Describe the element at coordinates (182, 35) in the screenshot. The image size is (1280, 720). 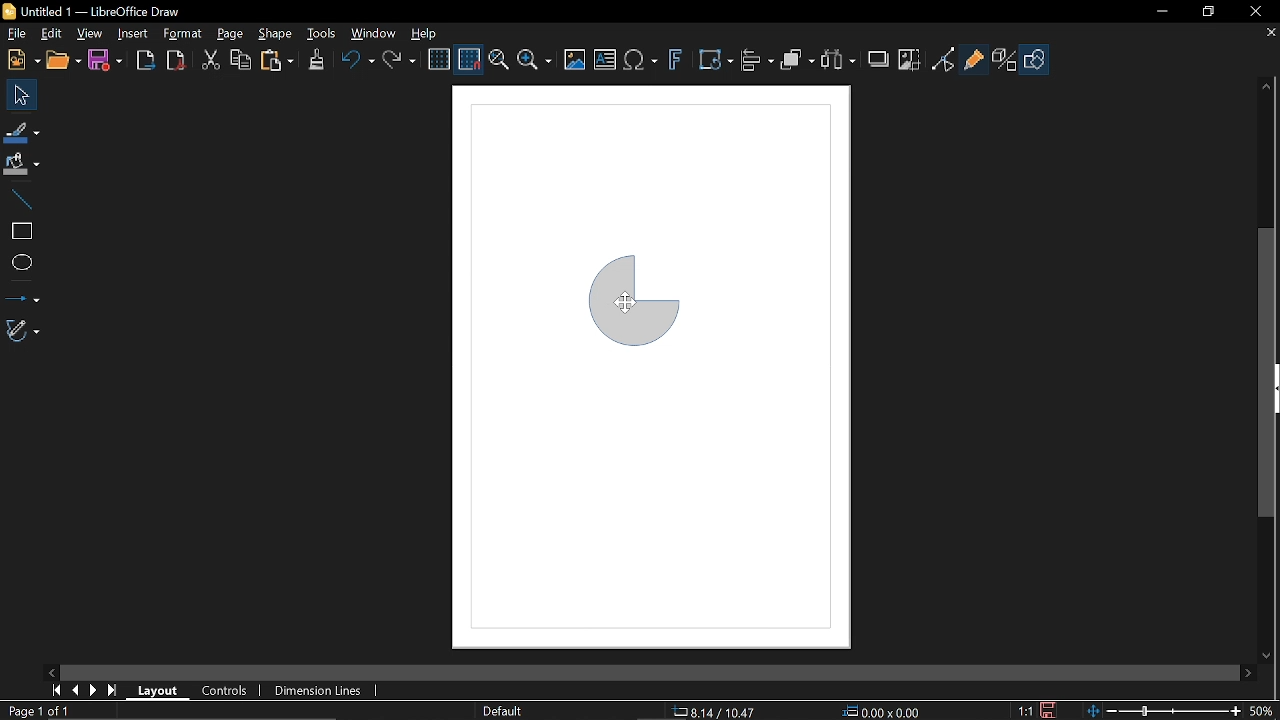
I see `Format` at that location.